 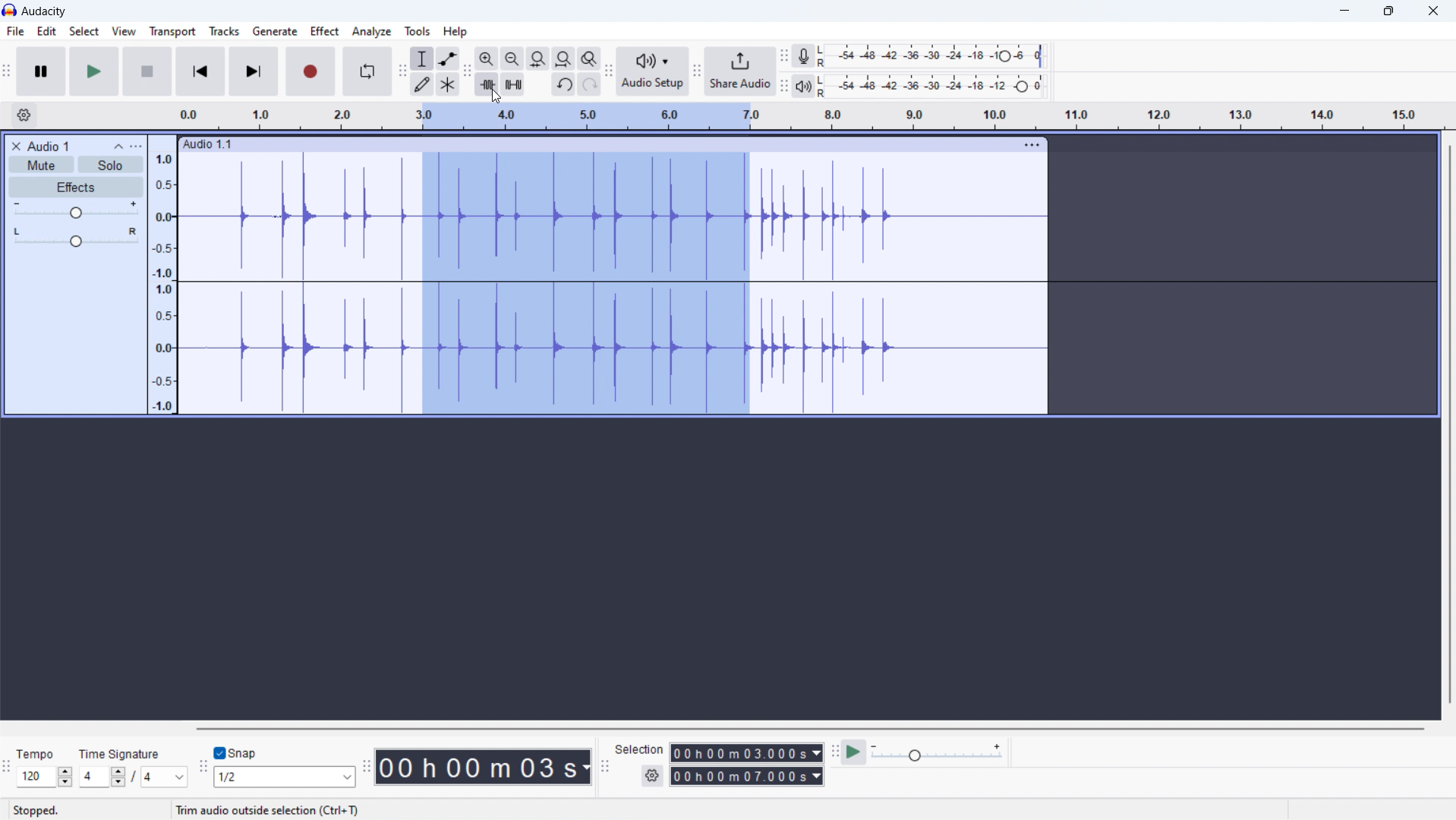 I want to click on 00 h 00 m 03s (timestamp), so click(x=484, y=770).